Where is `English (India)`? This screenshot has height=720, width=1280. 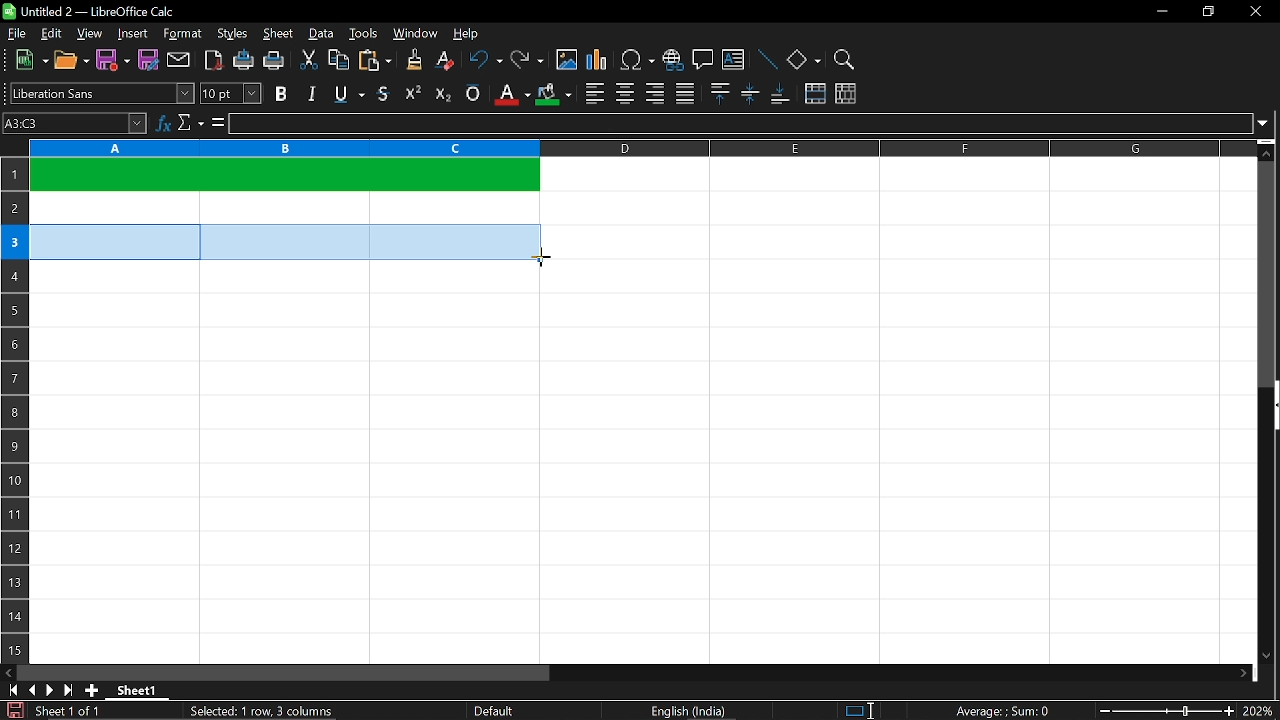
English (India) is located at coordinates (690, 711).